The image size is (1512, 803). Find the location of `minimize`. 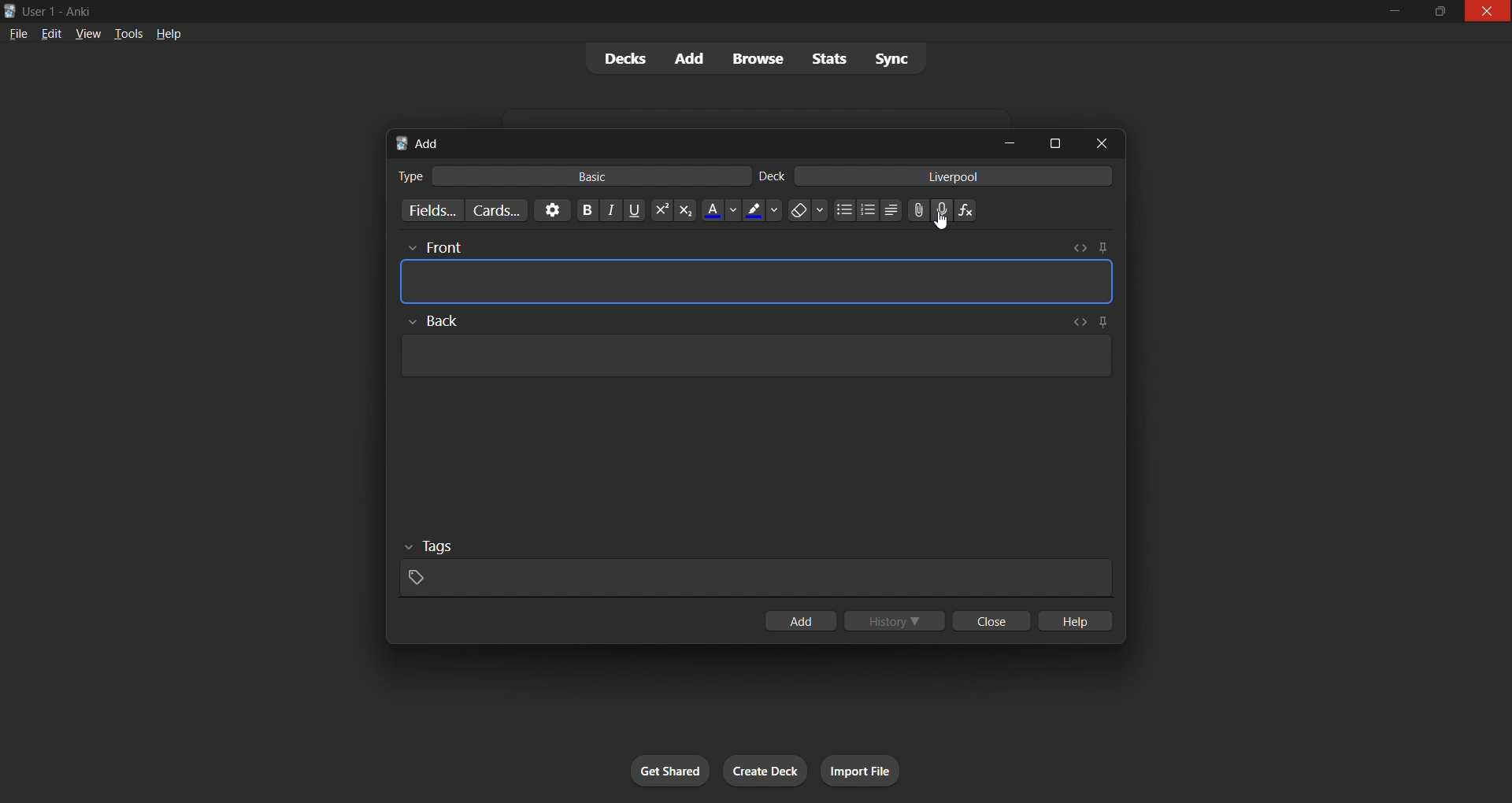

minimize is located at coordinates (1394, 11).